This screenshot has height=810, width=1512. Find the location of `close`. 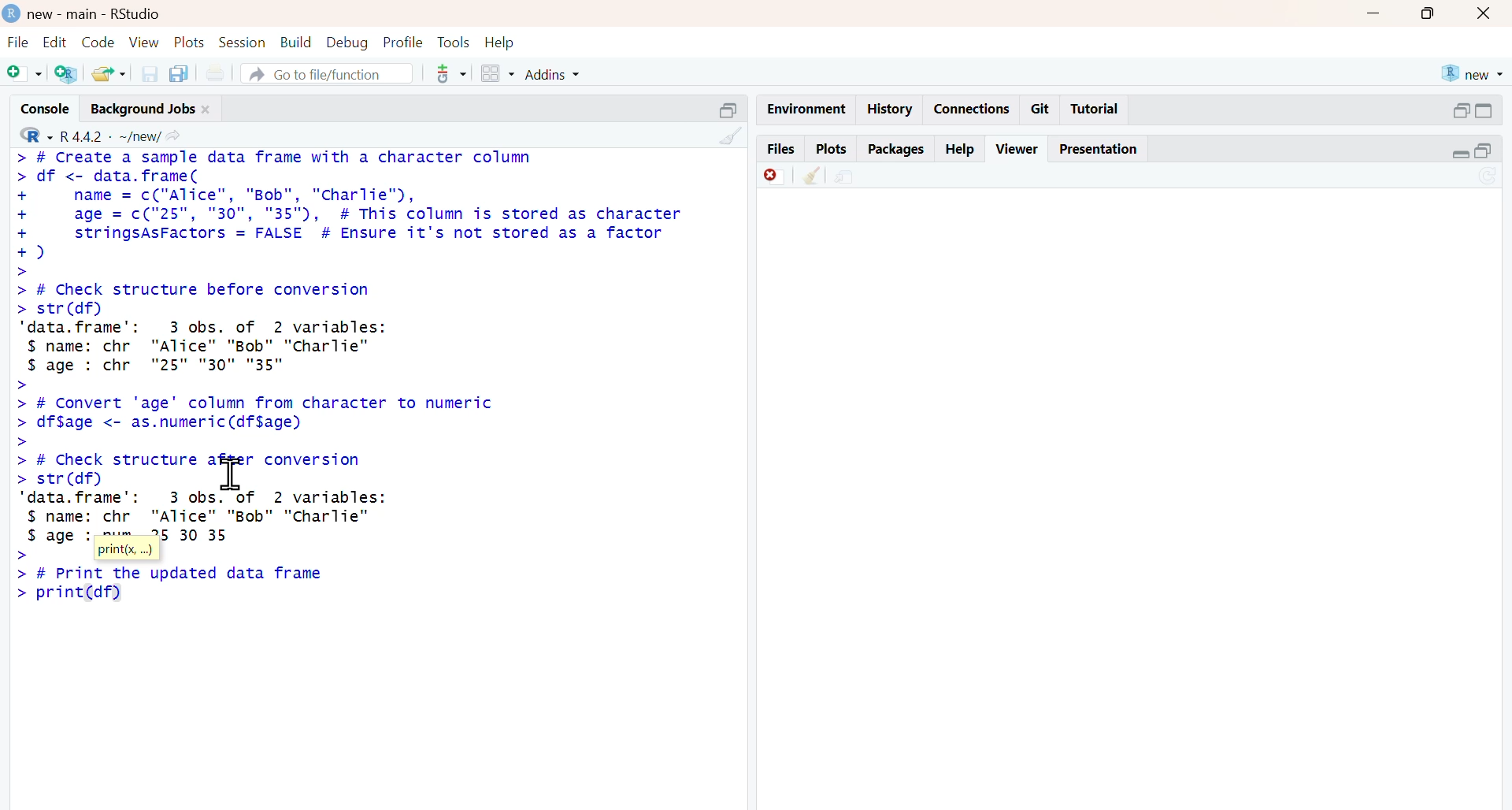

close is located at coordinates (1484, 13).